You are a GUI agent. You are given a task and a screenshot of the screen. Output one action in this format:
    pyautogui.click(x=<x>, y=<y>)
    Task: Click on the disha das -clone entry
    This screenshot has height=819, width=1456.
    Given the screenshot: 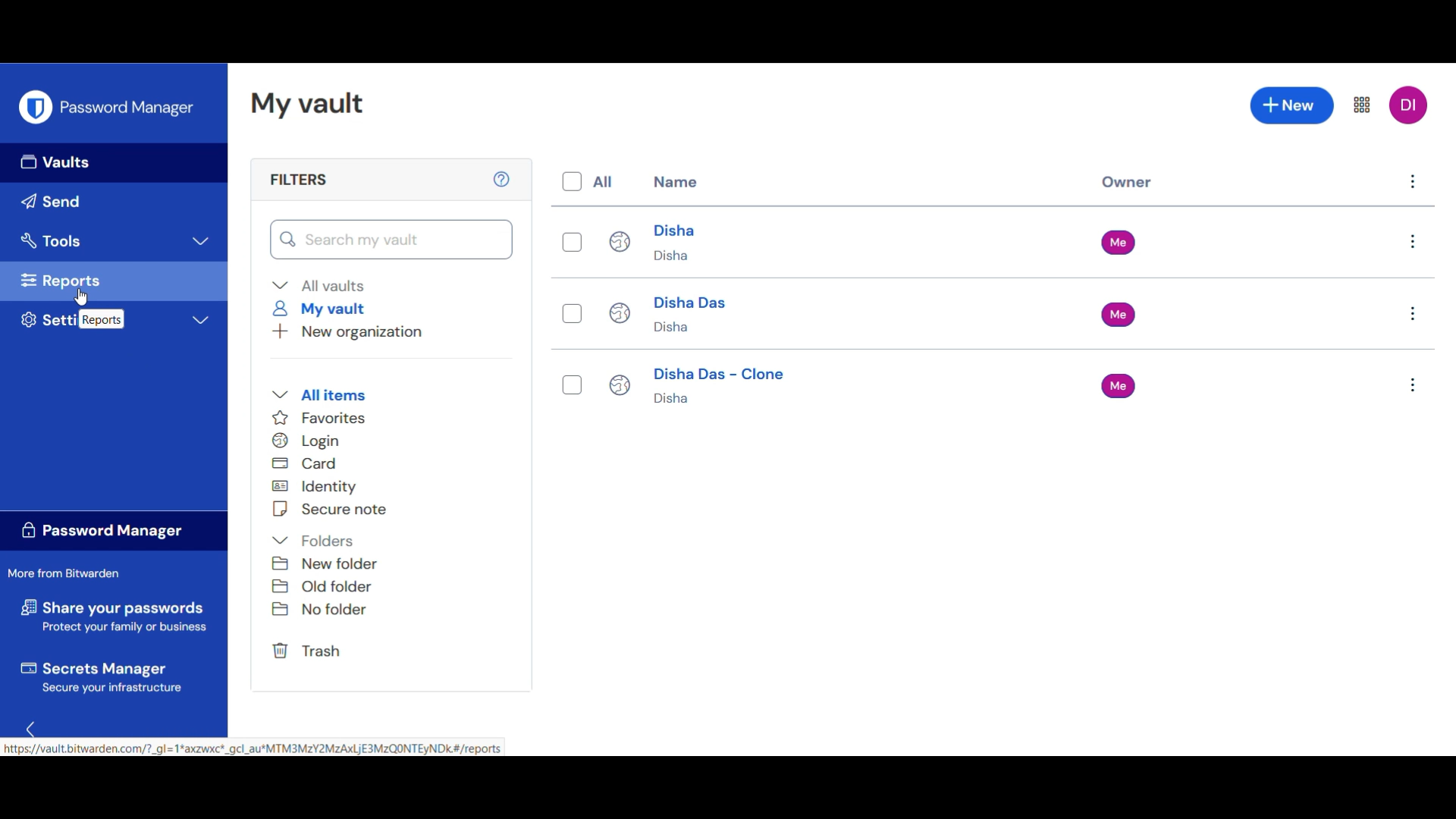 What is the action you would take?
    pyautogui.click(x=741, y=388)
    